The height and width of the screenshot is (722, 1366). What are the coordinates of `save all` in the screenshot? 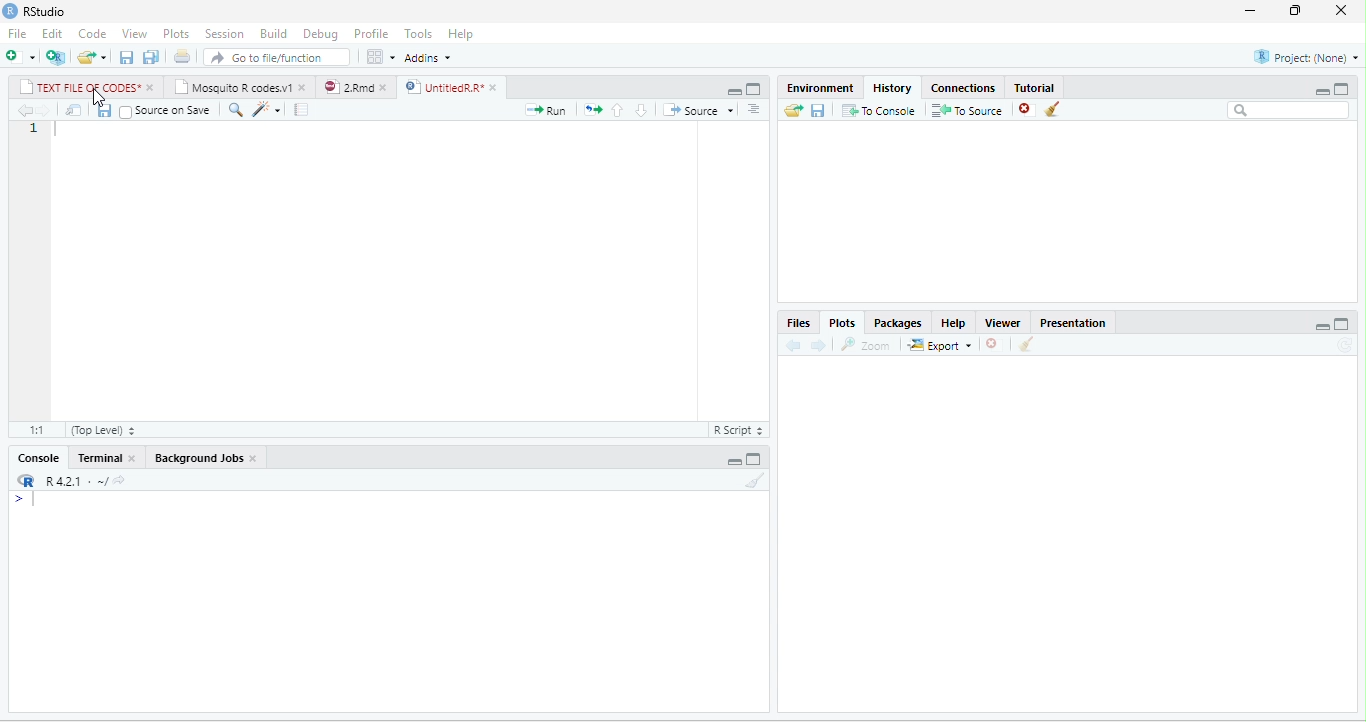 It's located at (151, 57).